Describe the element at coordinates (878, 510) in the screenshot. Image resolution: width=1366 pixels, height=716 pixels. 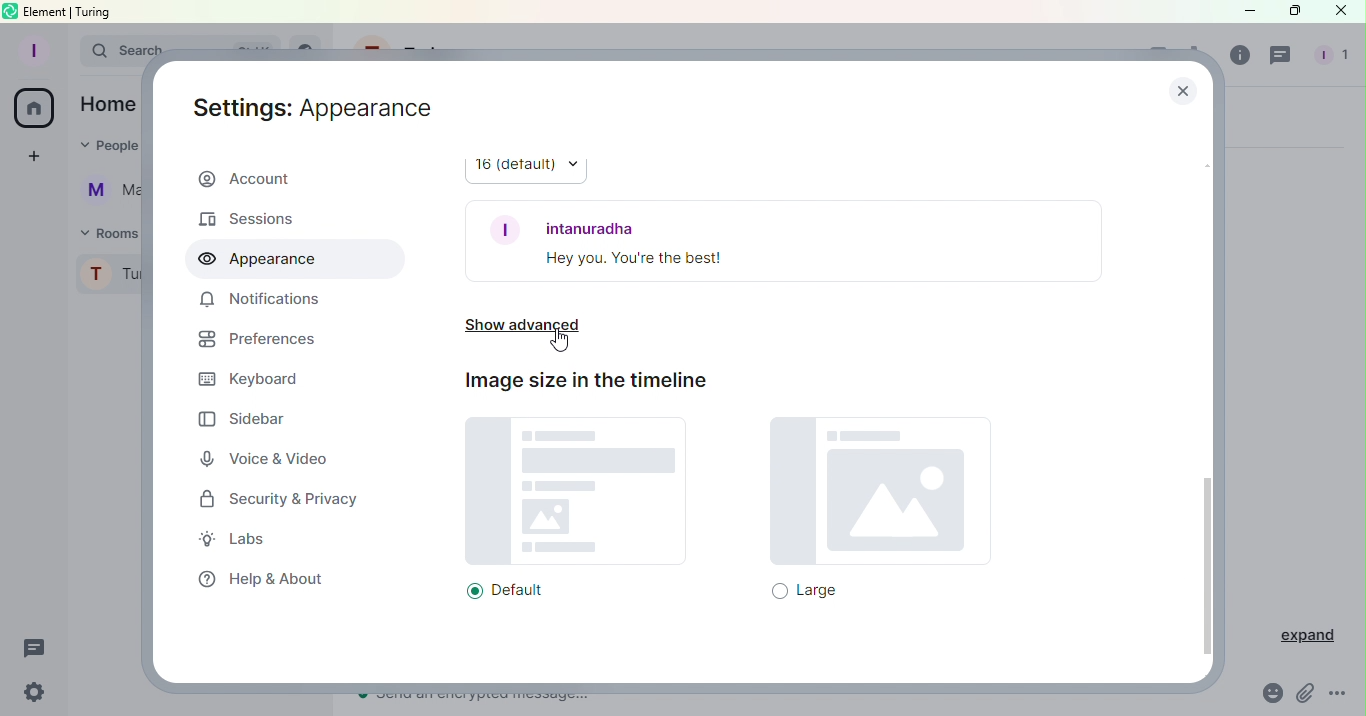
I see `Large` at that location.